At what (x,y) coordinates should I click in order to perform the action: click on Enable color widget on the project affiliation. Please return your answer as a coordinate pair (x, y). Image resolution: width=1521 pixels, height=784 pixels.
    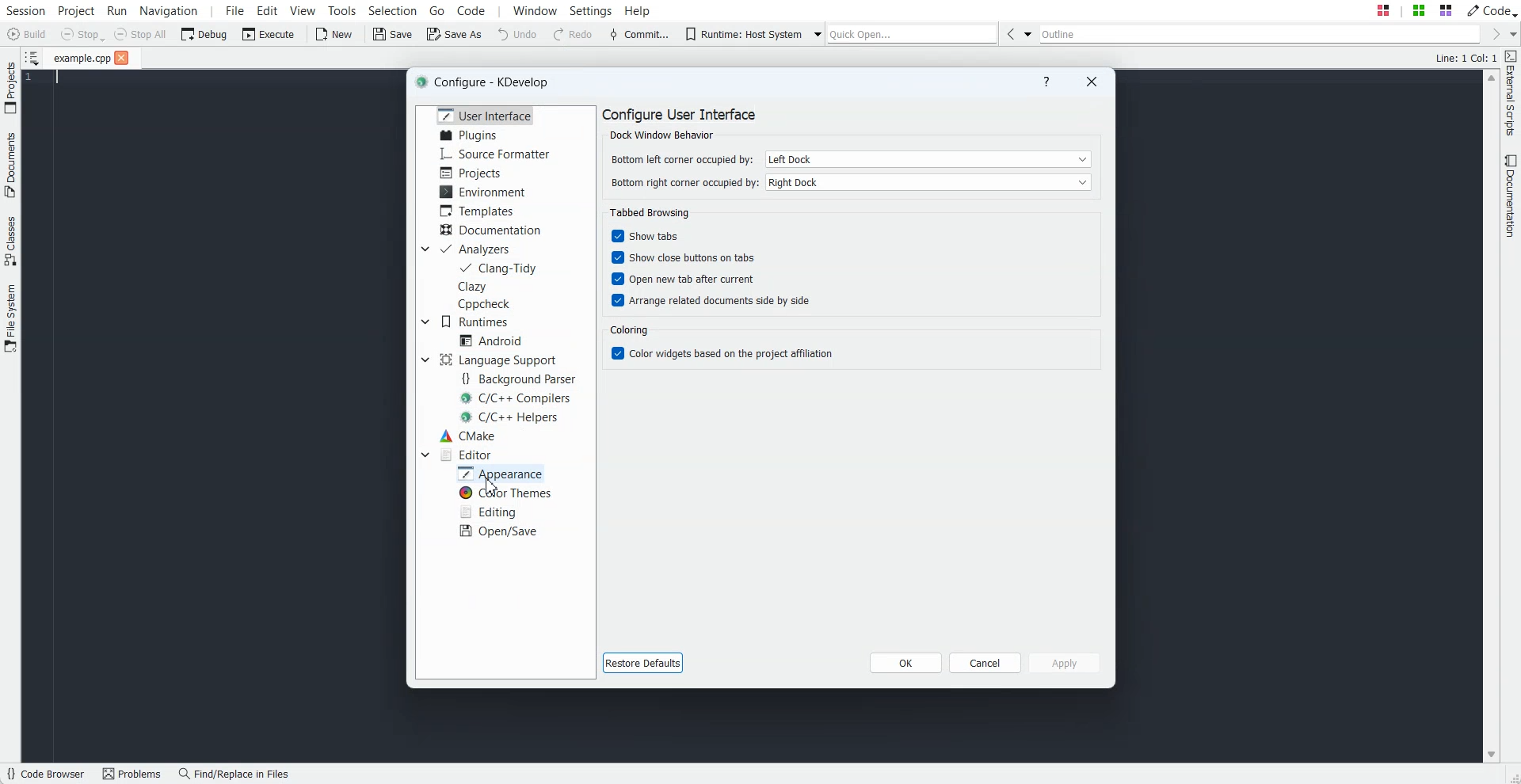
    Looking at the image, I should click on (726, 353).